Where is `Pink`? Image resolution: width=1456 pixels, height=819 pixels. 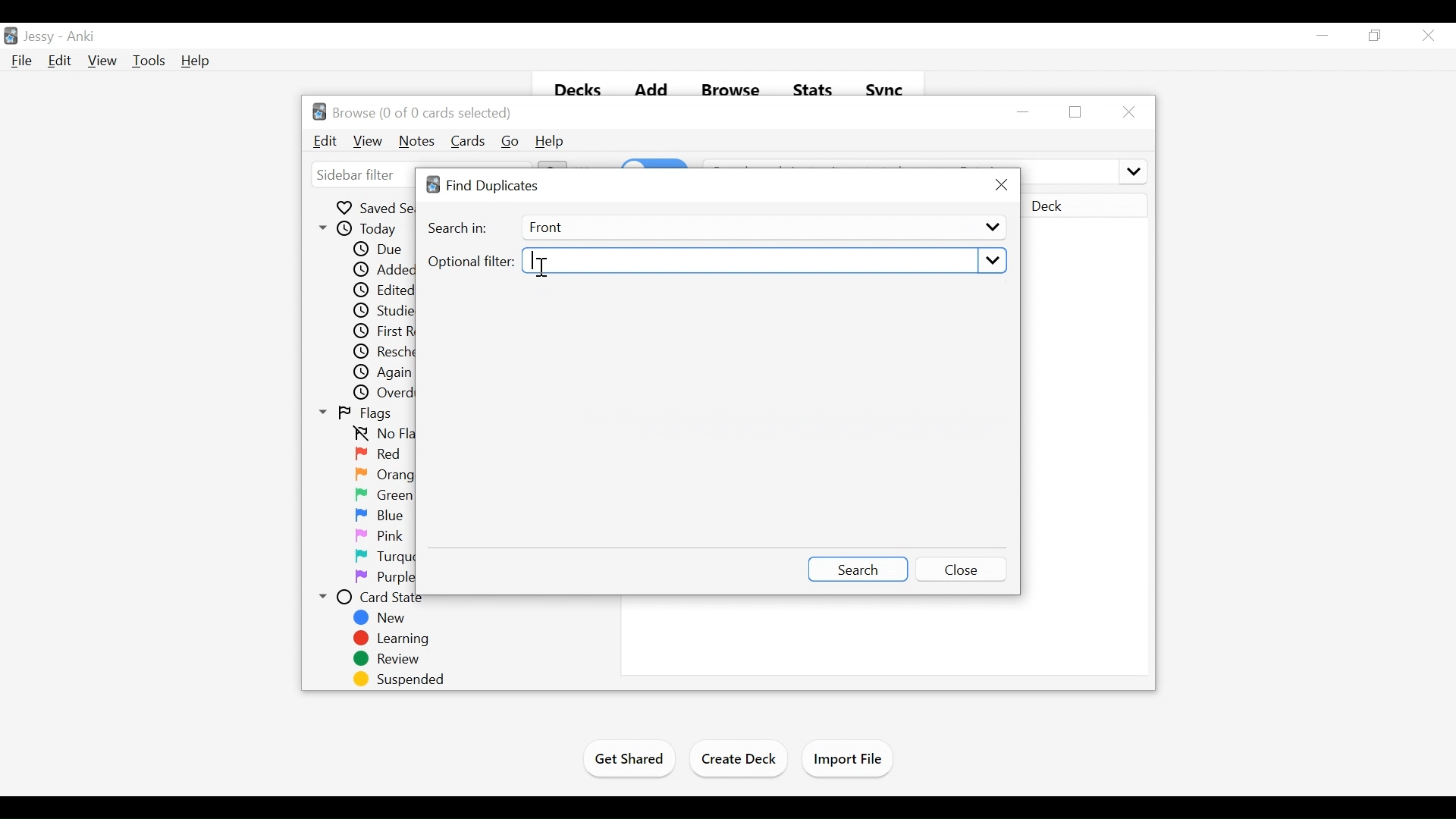
Pink is located at coordinates (379, 537).